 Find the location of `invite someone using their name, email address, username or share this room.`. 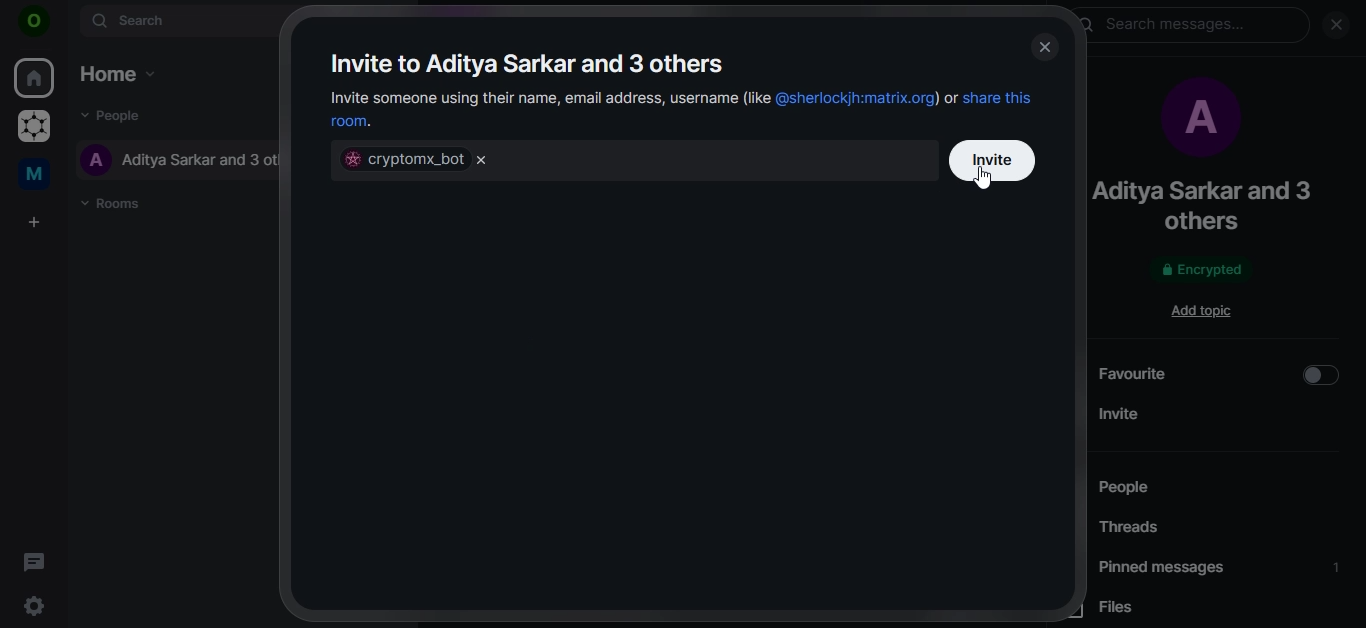

invite someone using their name, email address, username or share this room. is located at coordinates (683, 109).